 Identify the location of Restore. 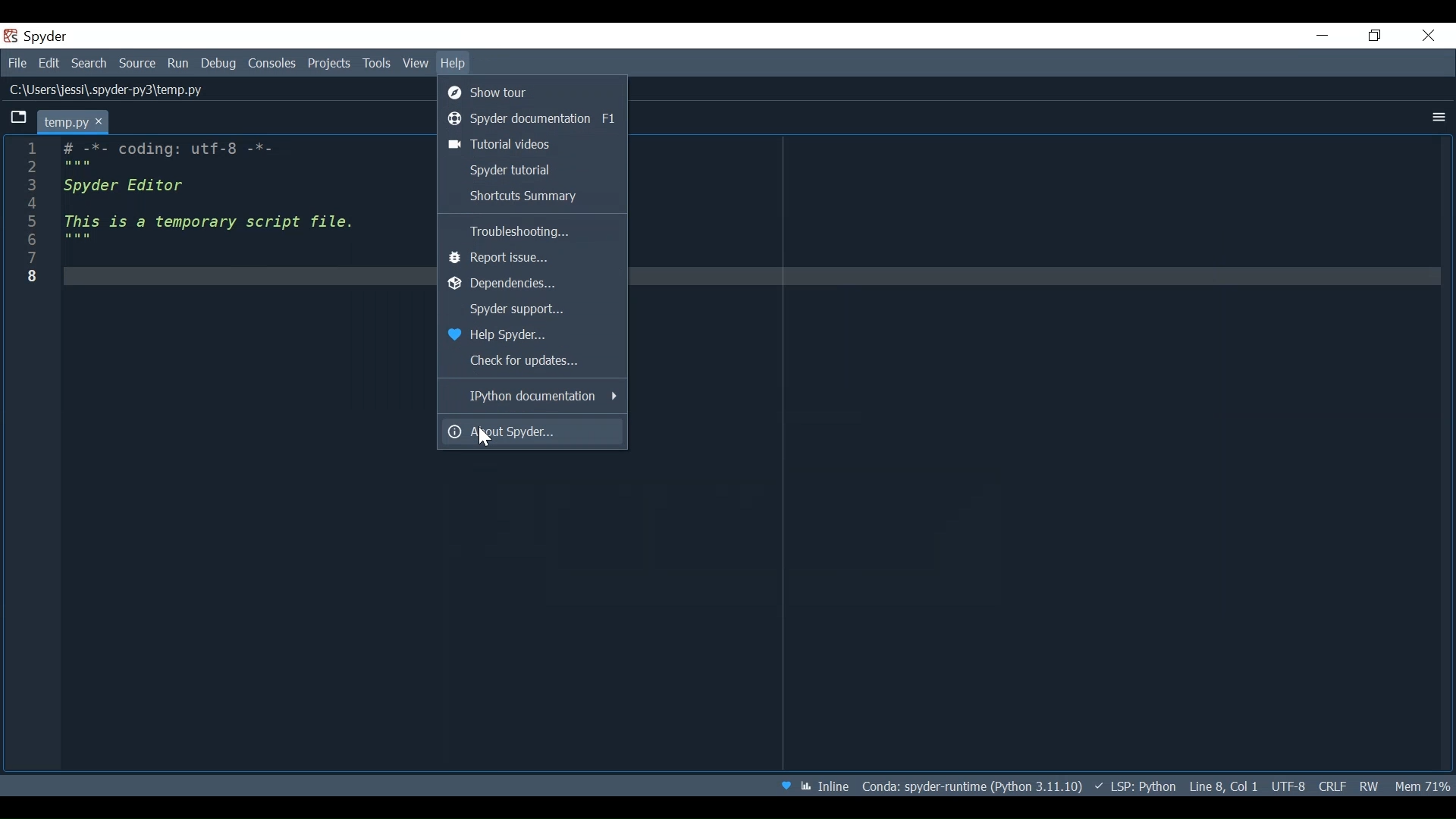
(1376, 36).